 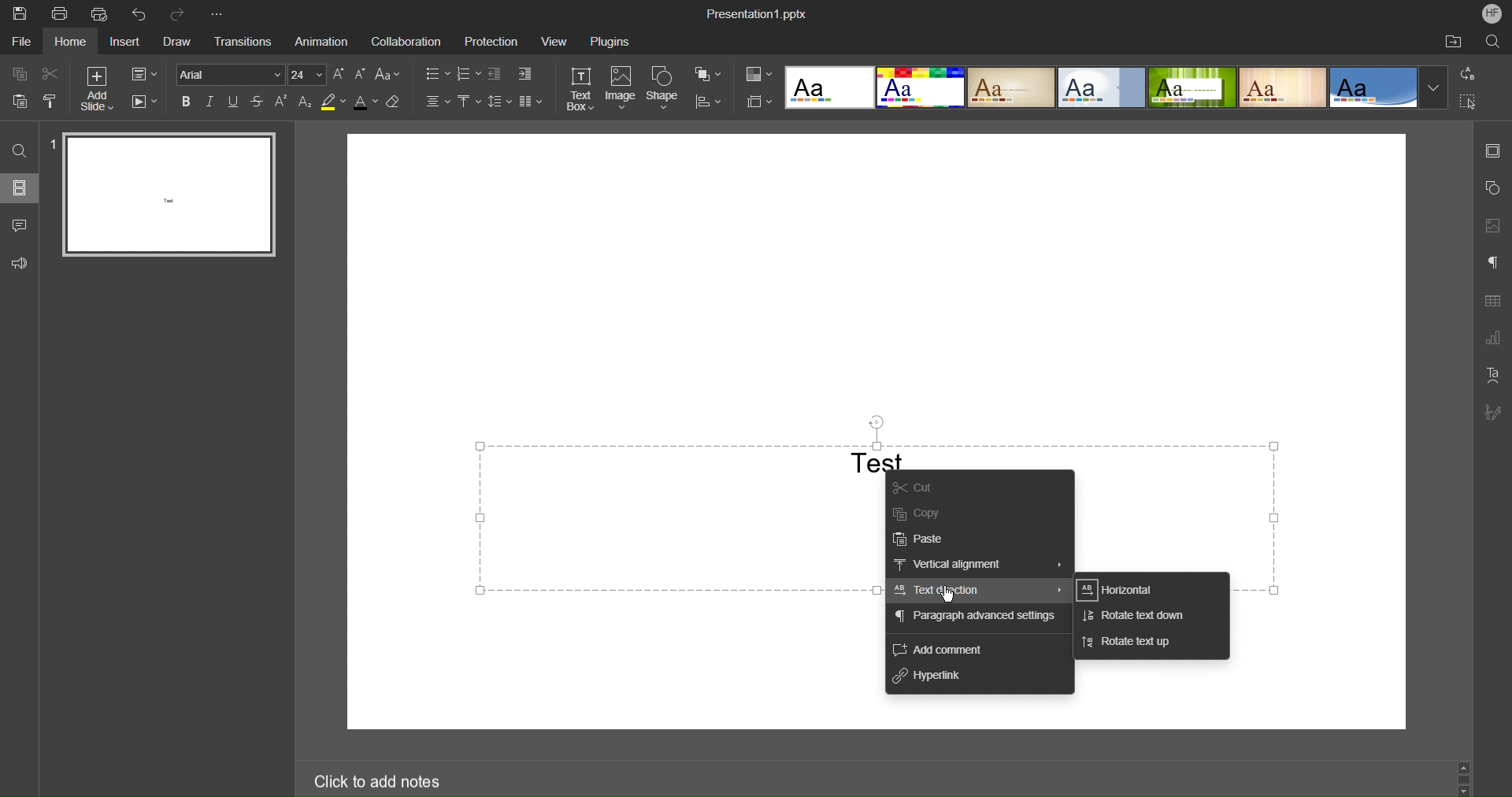 I want to click on Numbered List, so click(x=468, y=74).